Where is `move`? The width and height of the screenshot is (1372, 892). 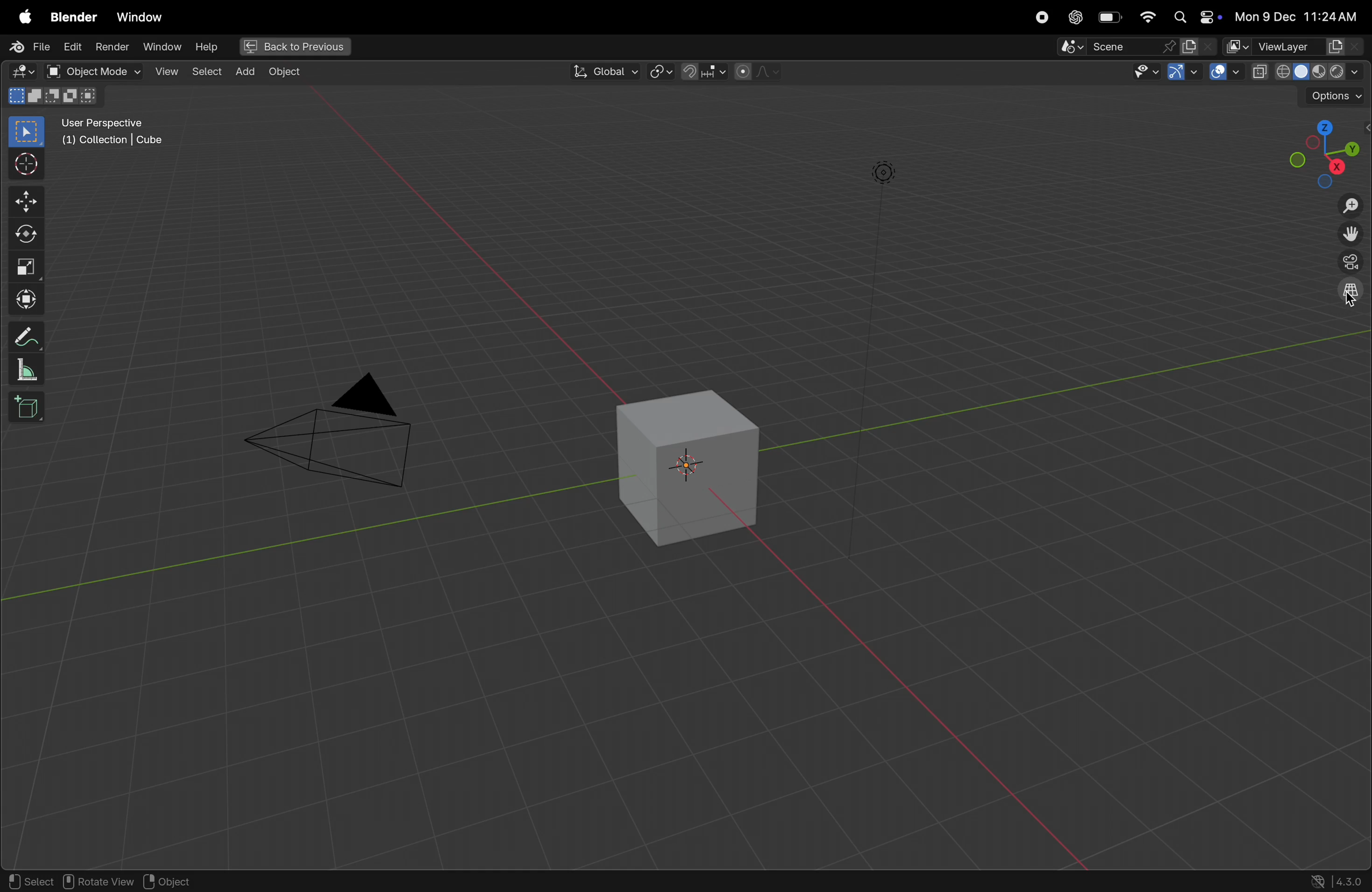
move is located at coordinates (24, 201).